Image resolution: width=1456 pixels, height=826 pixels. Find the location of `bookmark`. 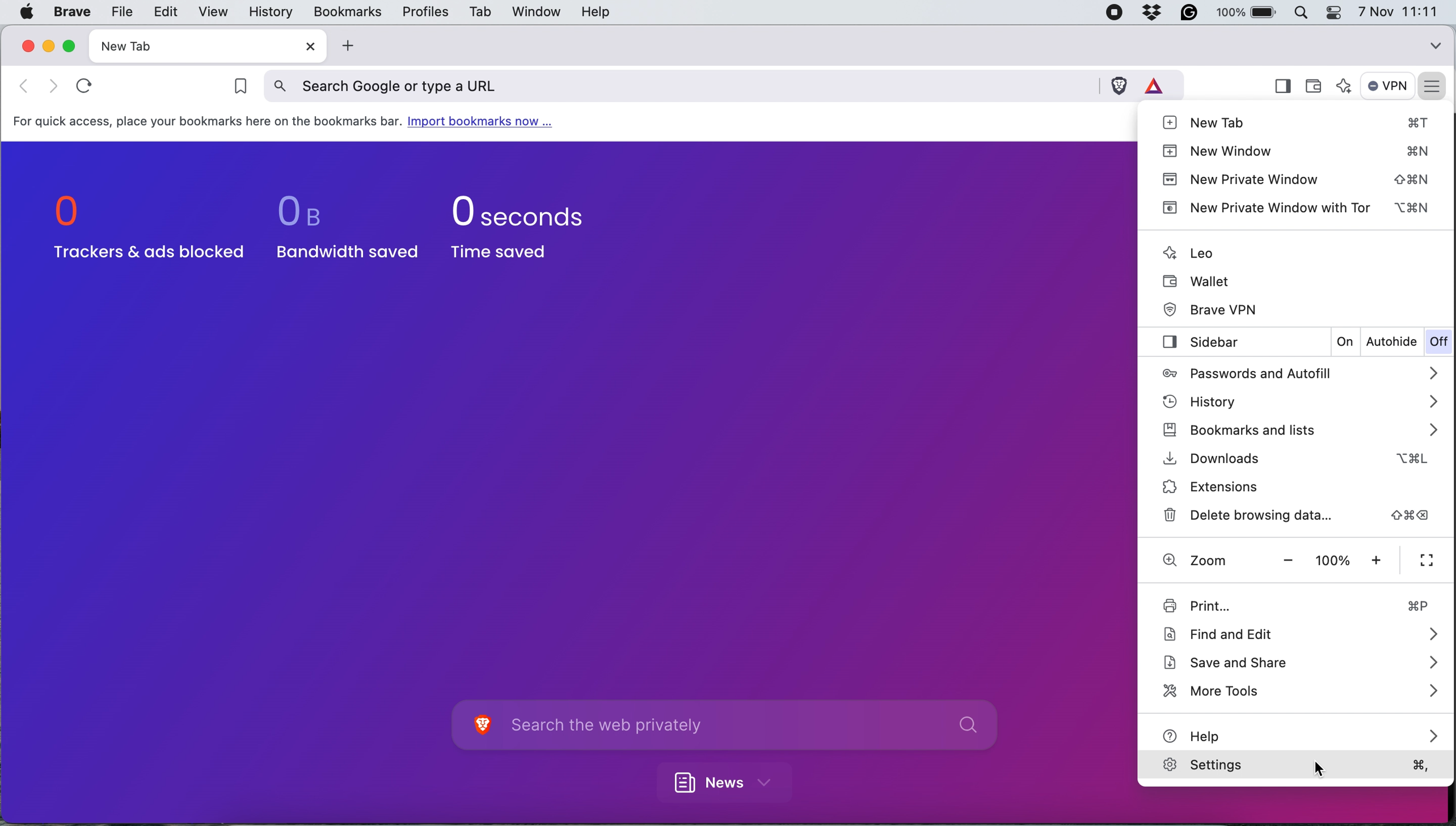

bookmark is located at coordinates (235, 88).